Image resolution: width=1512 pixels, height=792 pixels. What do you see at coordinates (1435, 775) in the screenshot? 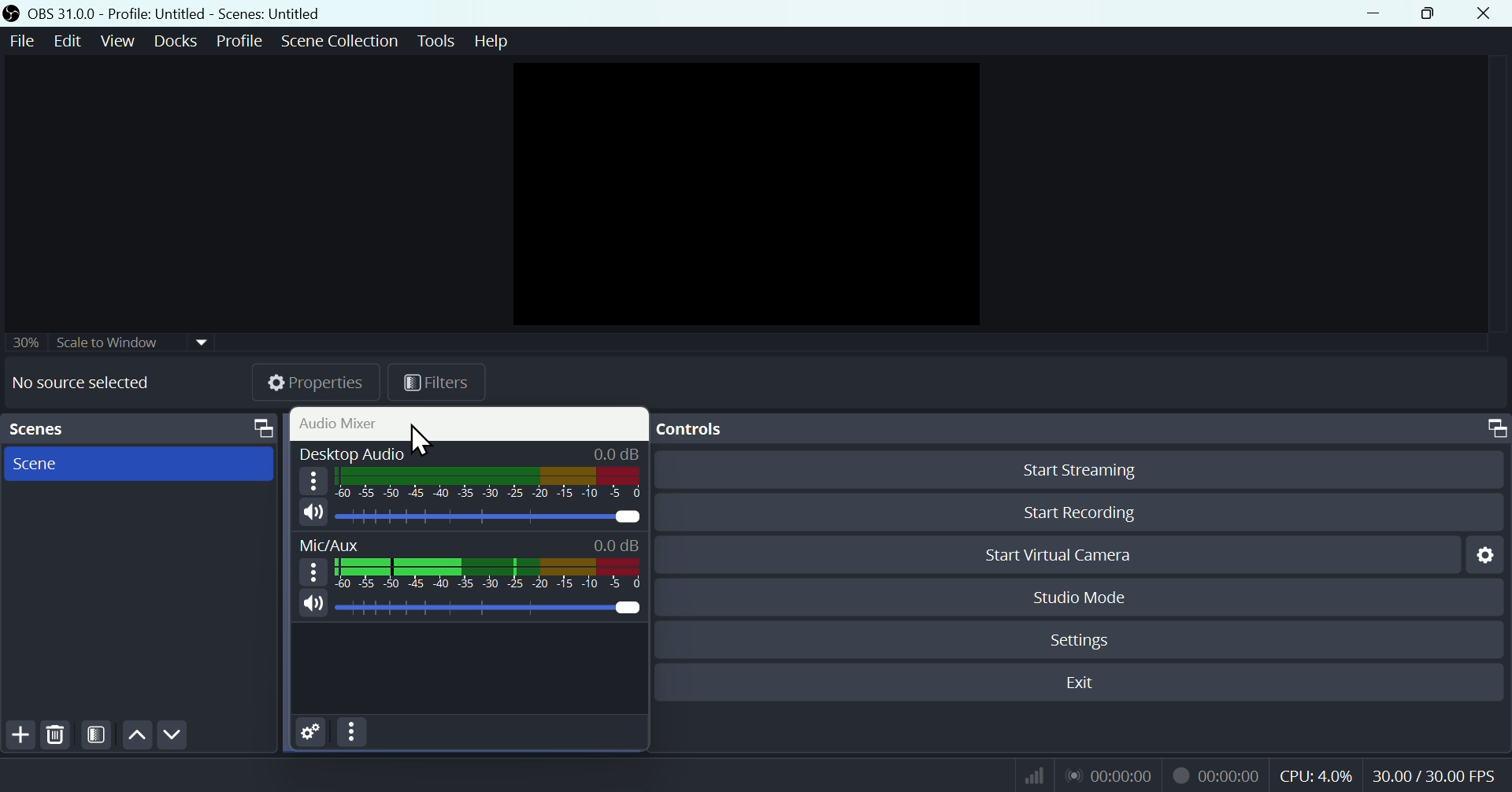
I see `Frame Per Second` at bounding box center [1435, 775].